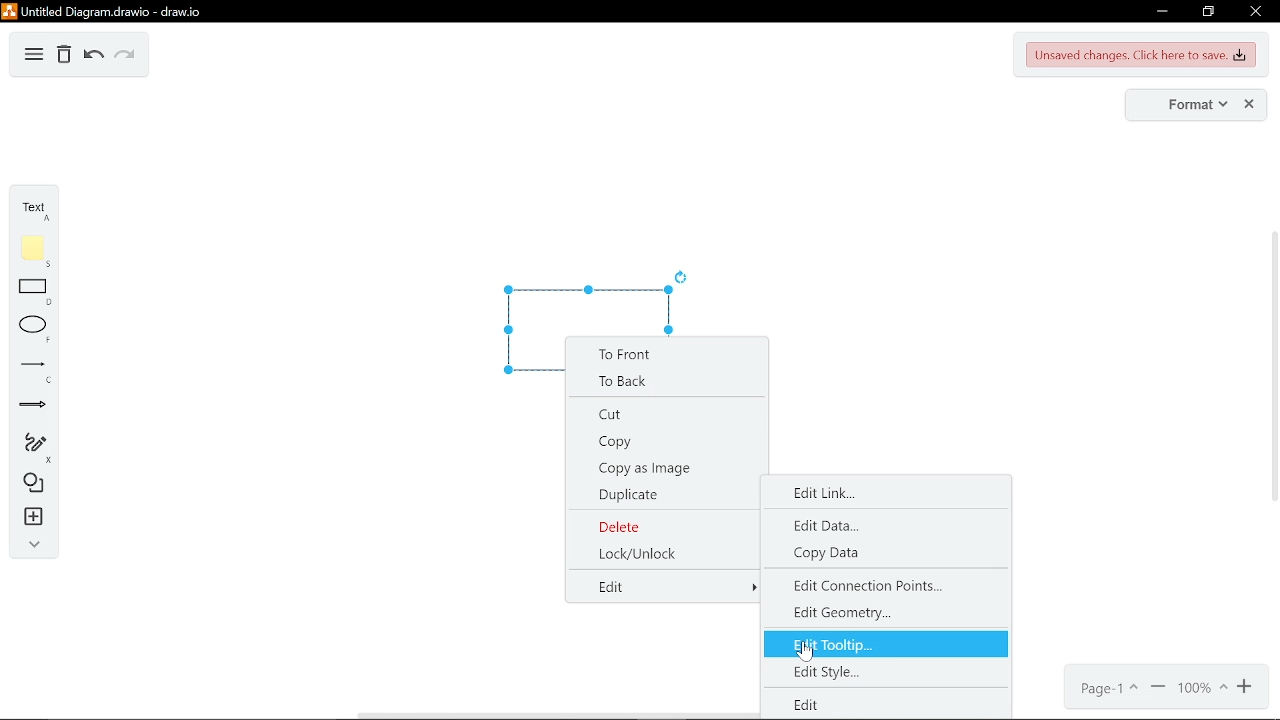 This screenshot has width=1280, height=720. What do you see at coordinates (662, 555) in the screenshot?
I see `lock/unlock` at bounding box center [662, 555].